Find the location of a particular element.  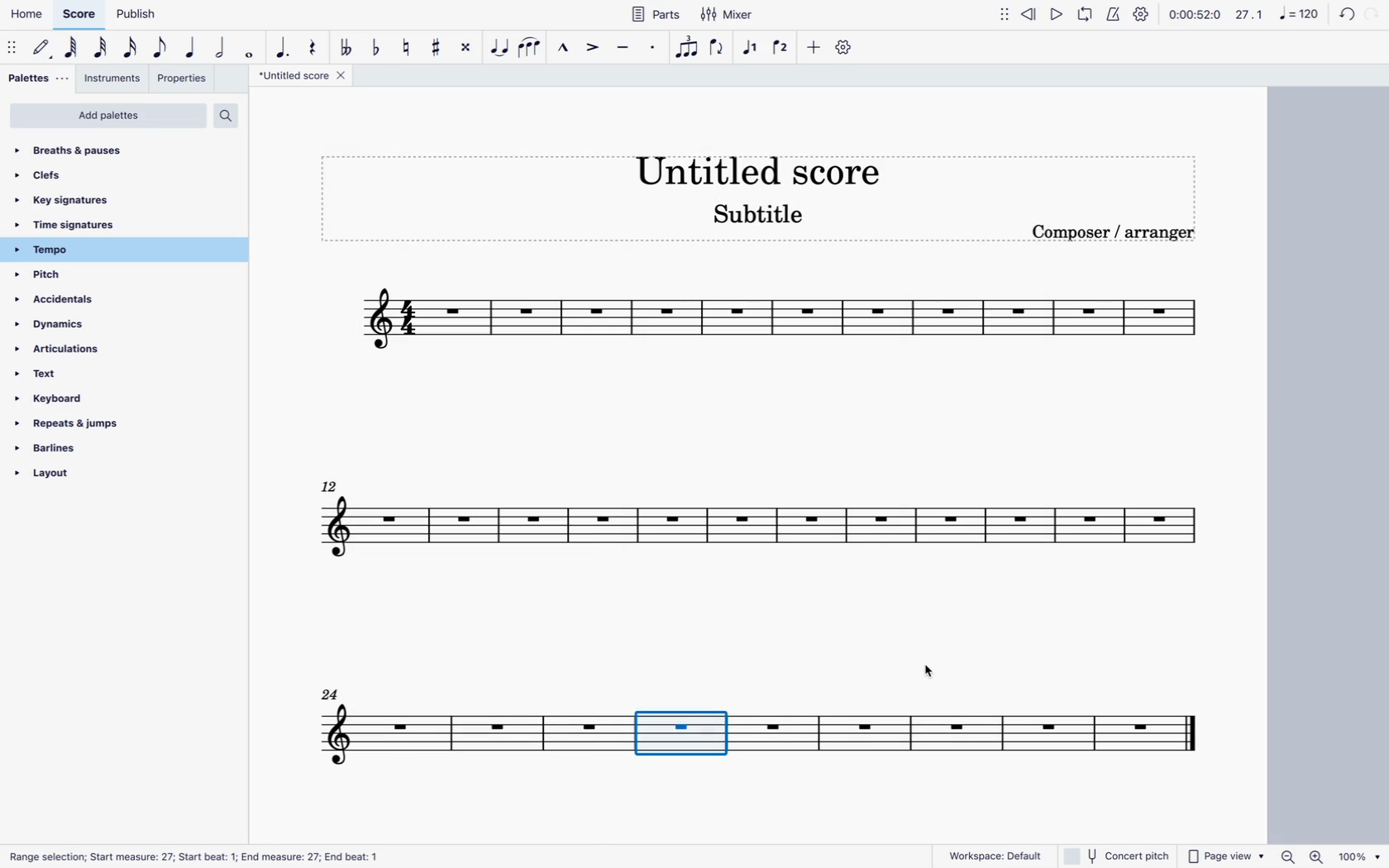

dynamics is located at coordinates (60, 325).